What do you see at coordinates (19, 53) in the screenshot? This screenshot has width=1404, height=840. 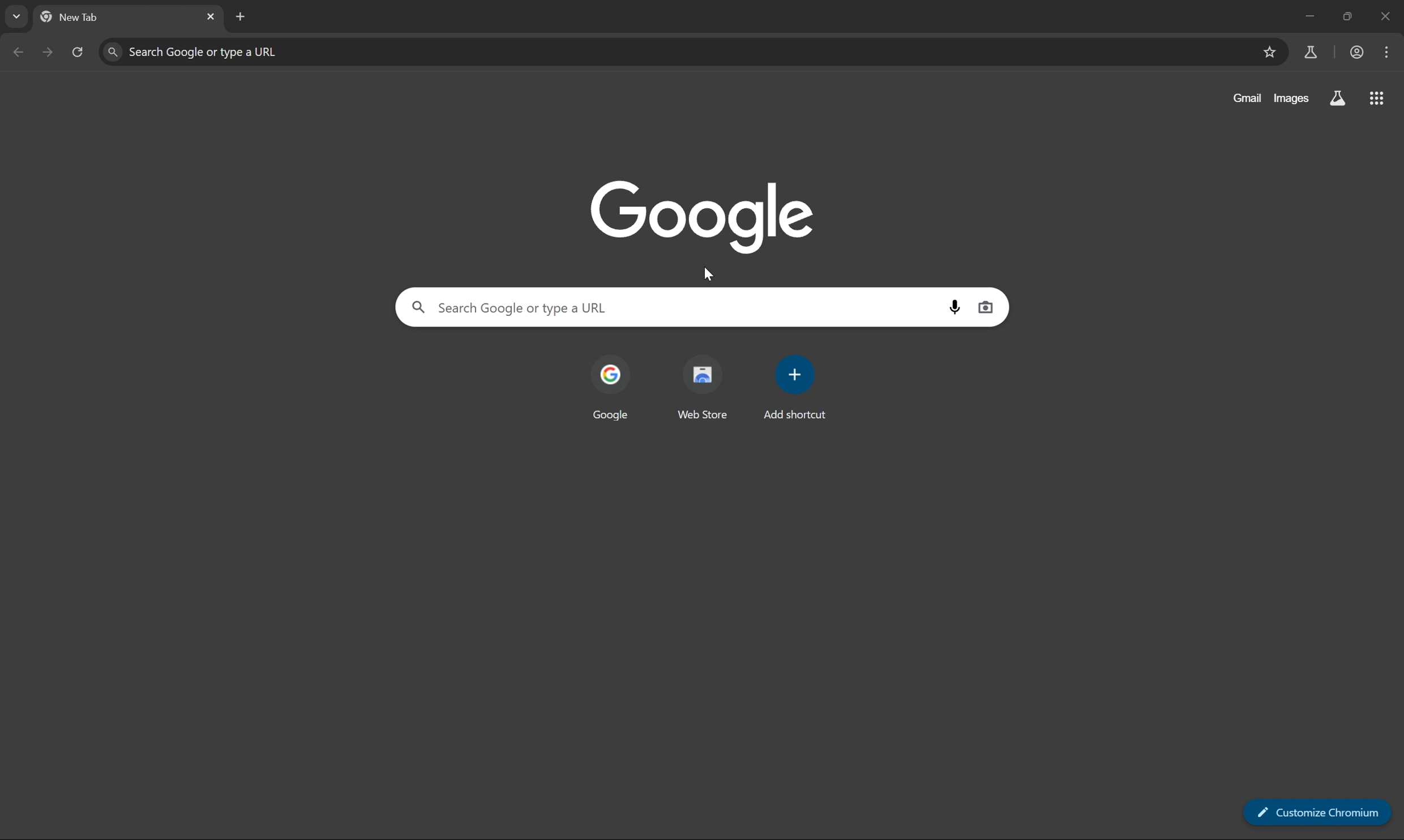 I see `previous` at bounding box center [19, 53].